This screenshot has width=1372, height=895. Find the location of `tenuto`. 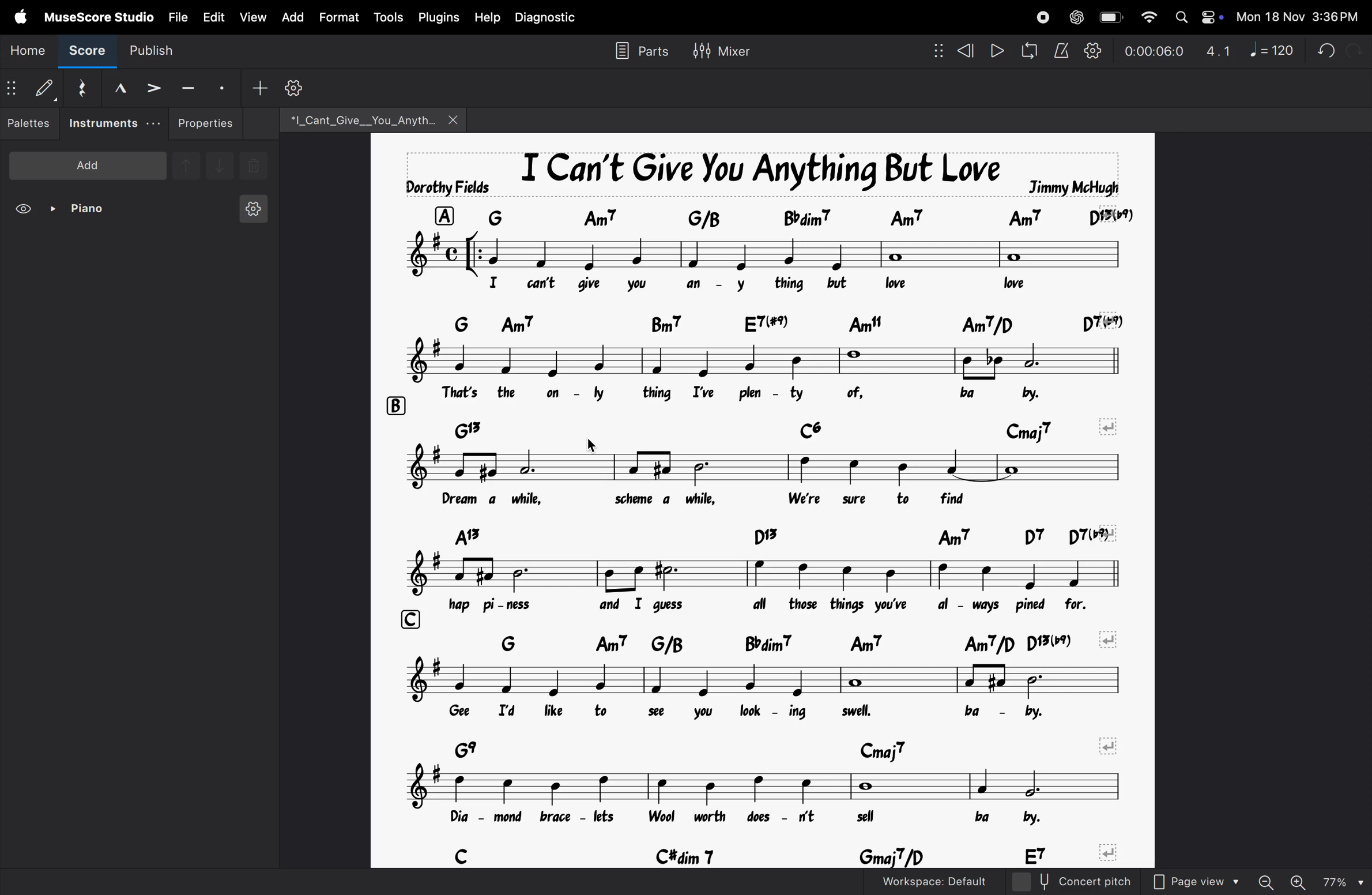

tenuto is located at coordinates (188, 87).